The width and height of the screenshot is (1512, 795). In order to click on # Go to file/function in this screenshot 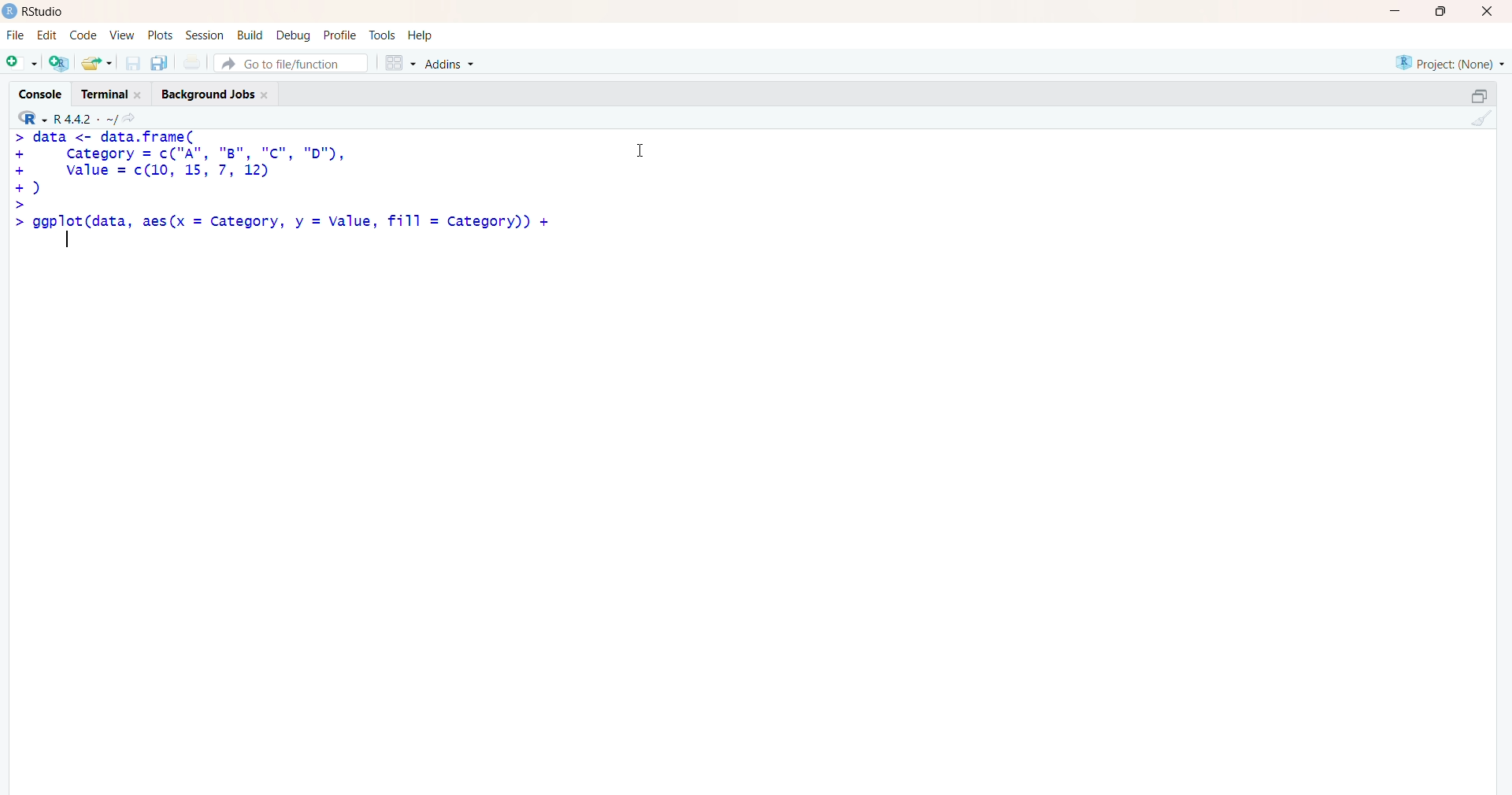, I will do `click(291, 63)`.